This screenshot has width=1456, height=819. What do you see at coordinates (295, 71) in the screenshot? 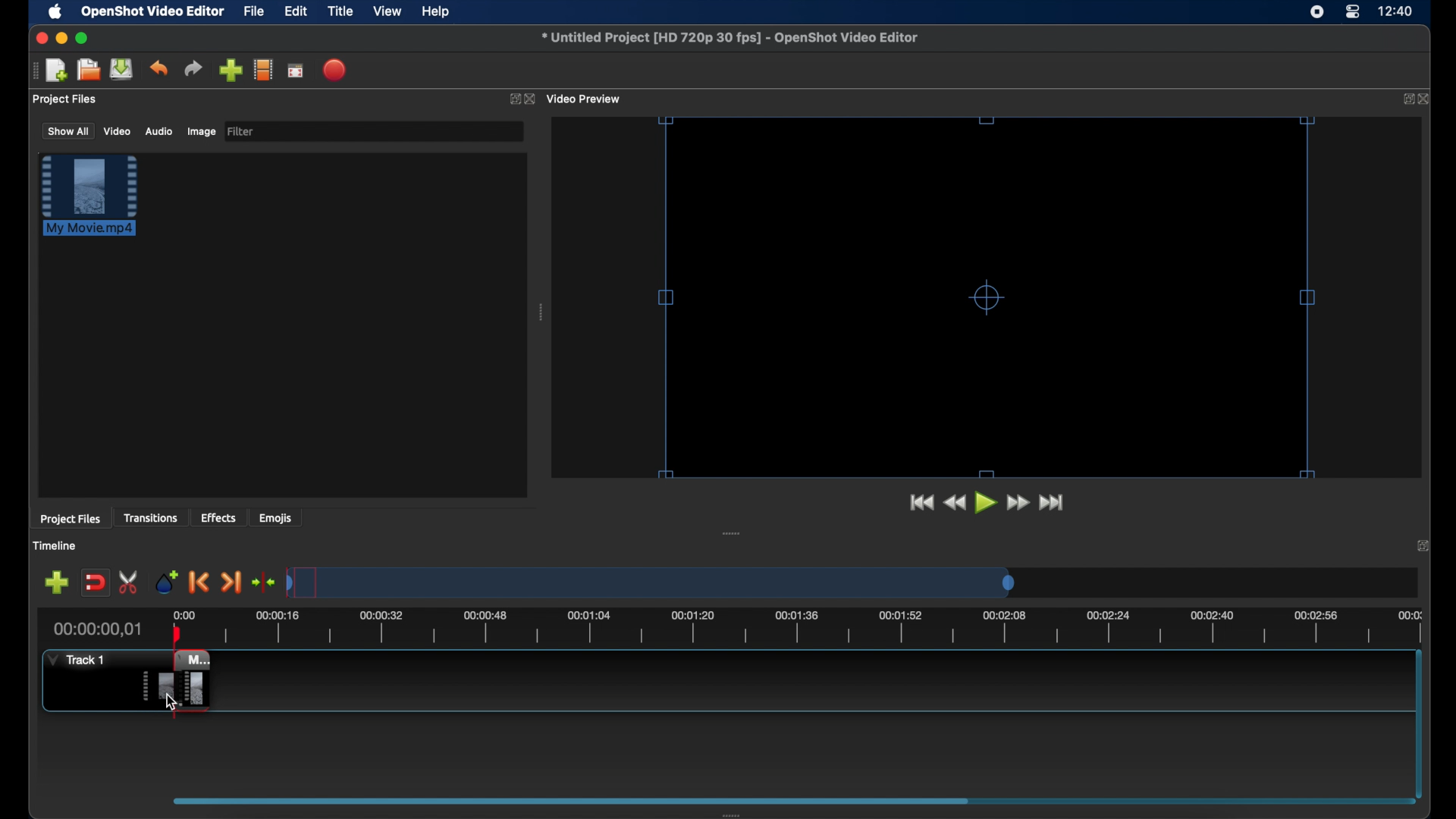
I see `full screen` at bounding box center [295, 71].